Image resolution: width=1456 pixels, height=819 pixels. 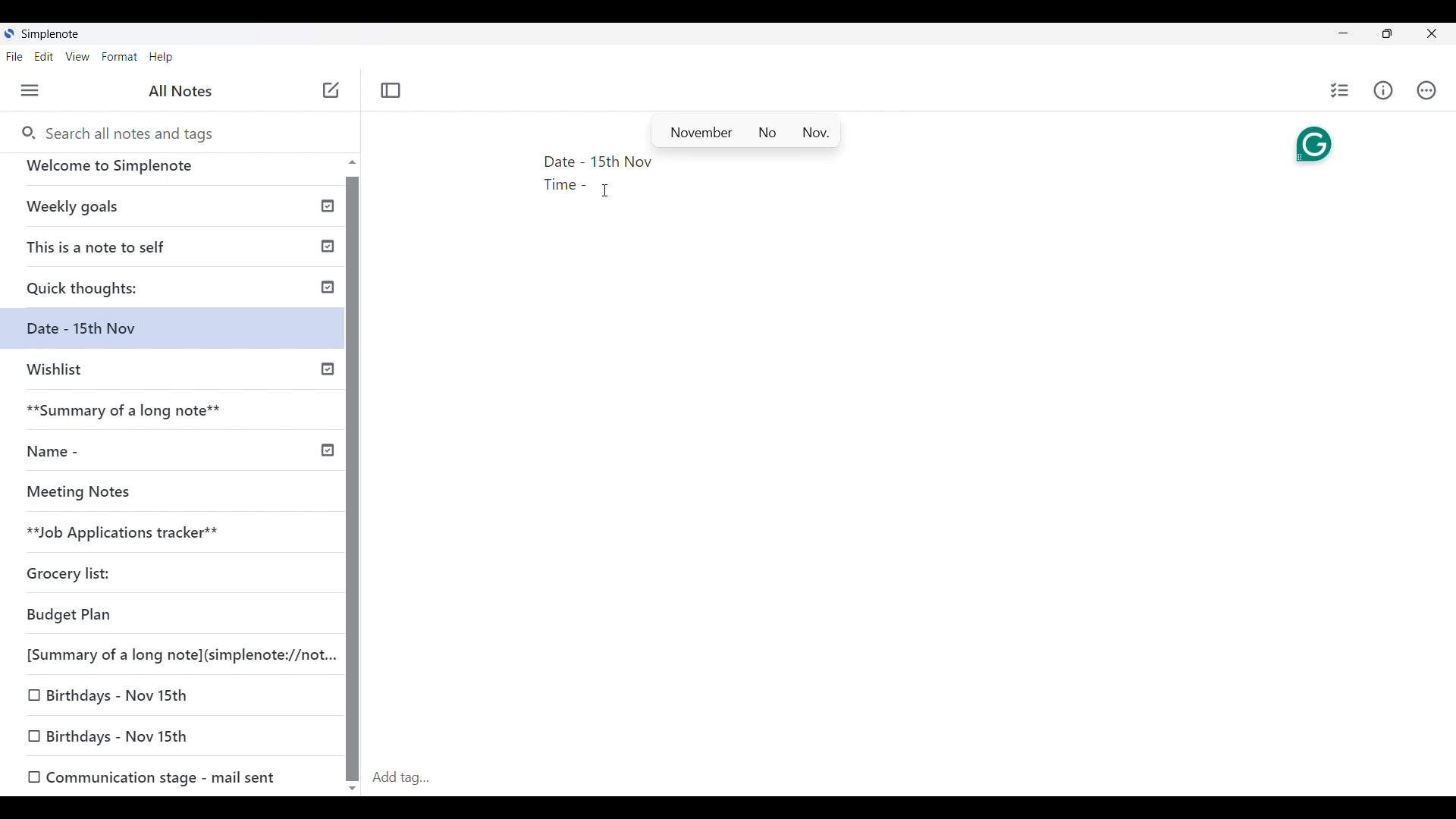 I want to click on Cursor position unchanged , so click(x=605, y=190).